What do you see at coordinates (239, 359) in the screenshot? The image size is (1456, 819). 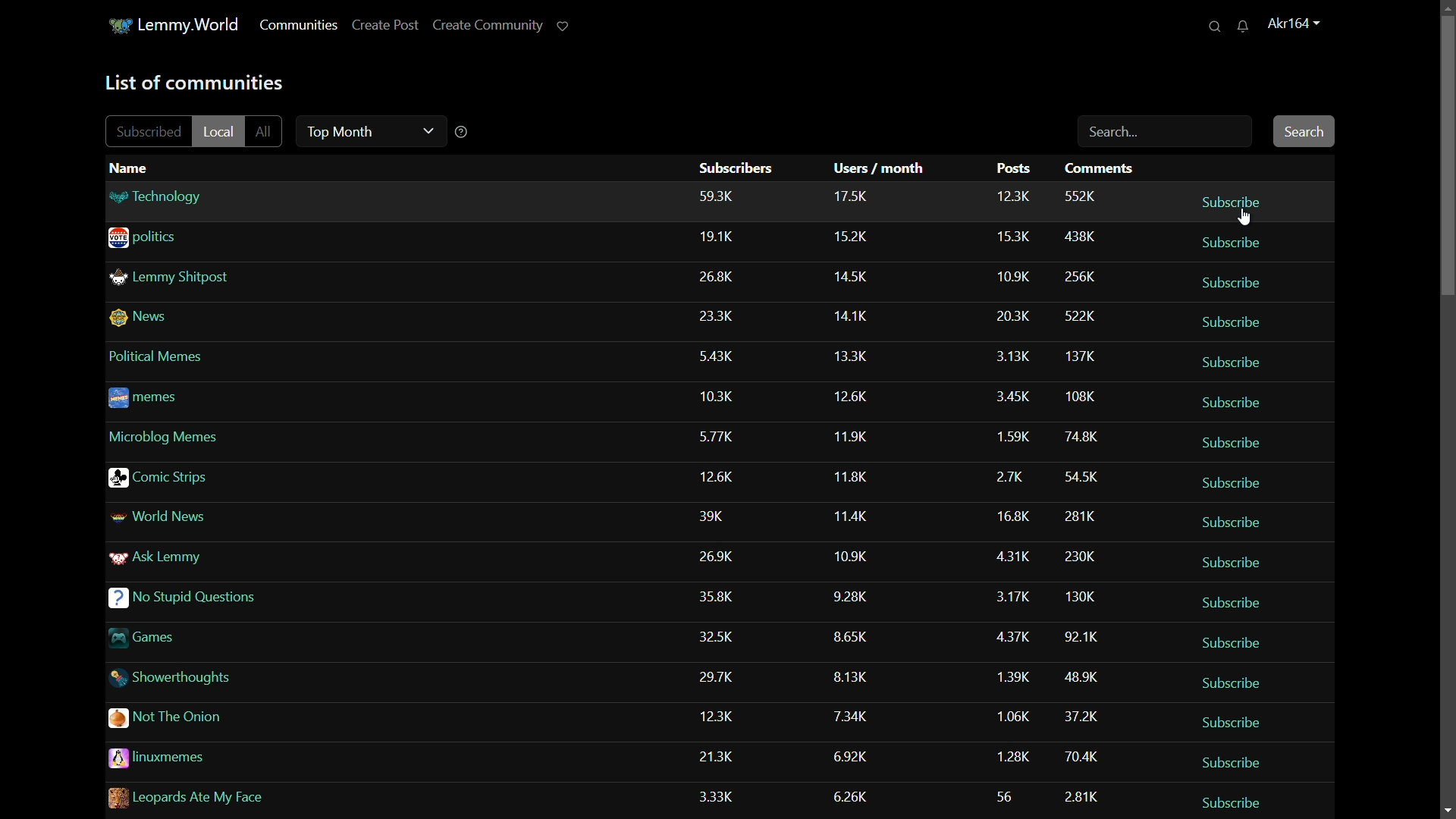 I see `communities name` at bounding box center [239, 359].